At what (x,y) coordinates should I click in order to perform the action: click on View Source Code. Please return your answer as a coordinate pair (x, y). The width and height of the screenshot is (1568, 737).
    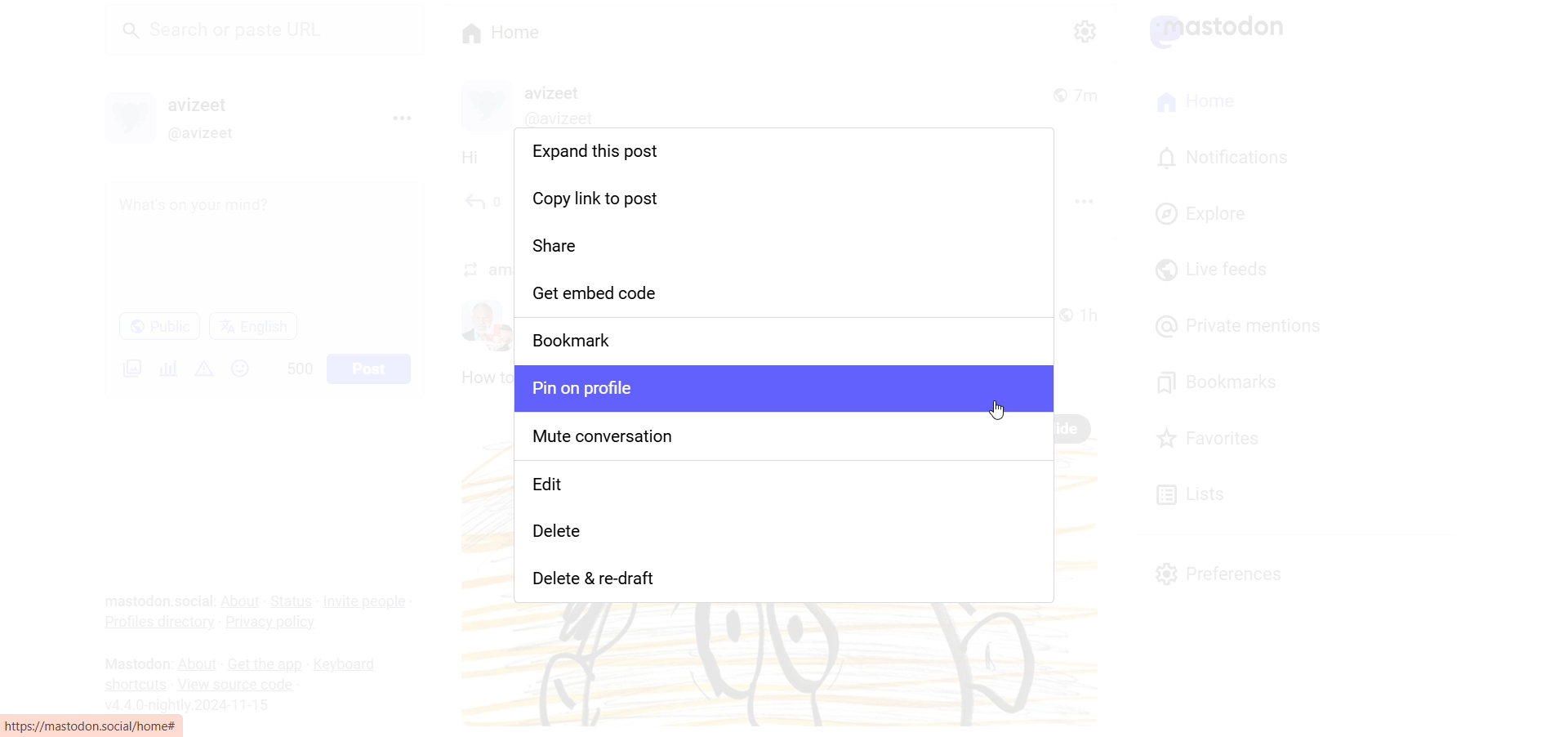
    Looking at the image, I should click on (235, 683).